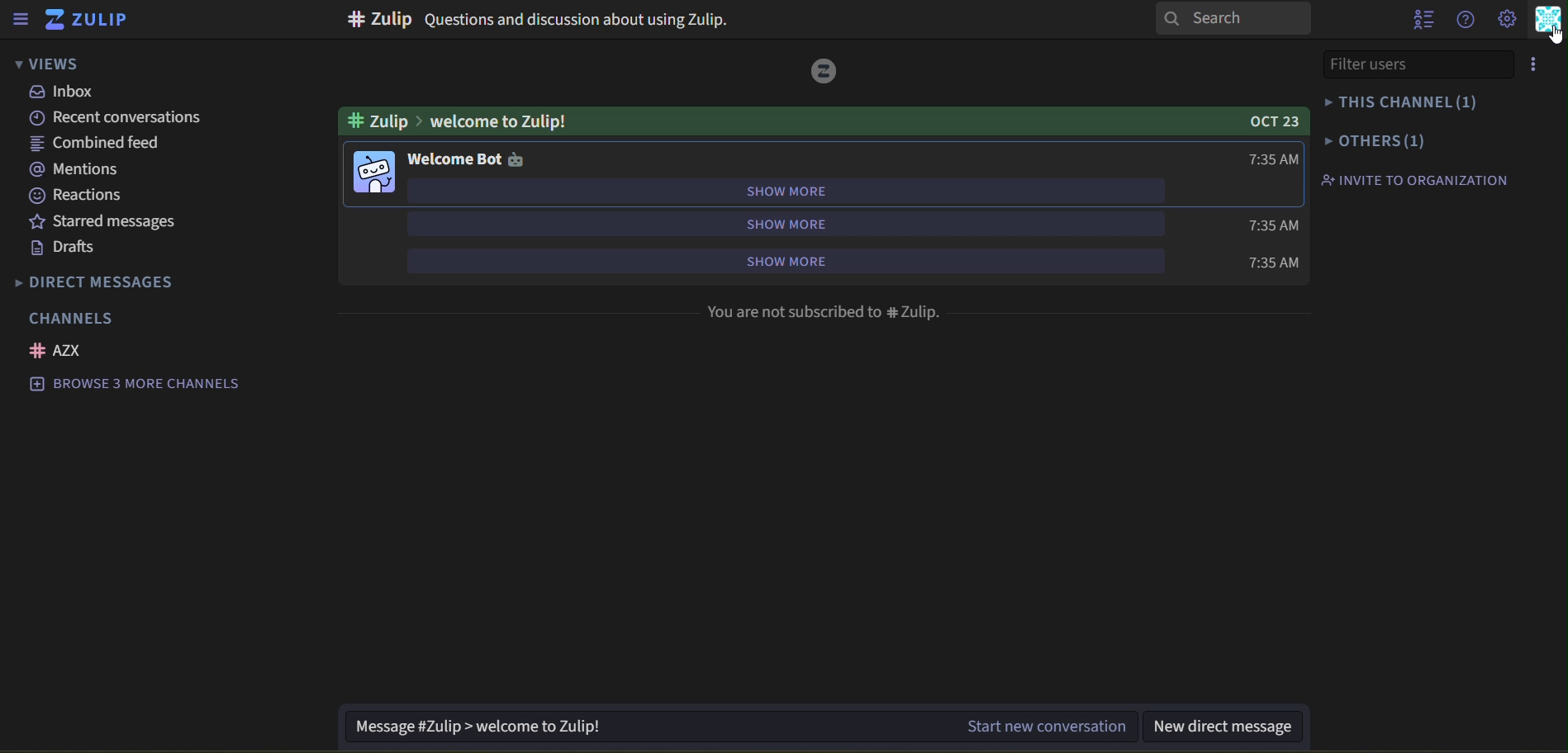 The image size is (1568, 753). What do you see at coordinates (62, 92) in the screenshot?
I see `inbox` at bounding box center [62, 92].